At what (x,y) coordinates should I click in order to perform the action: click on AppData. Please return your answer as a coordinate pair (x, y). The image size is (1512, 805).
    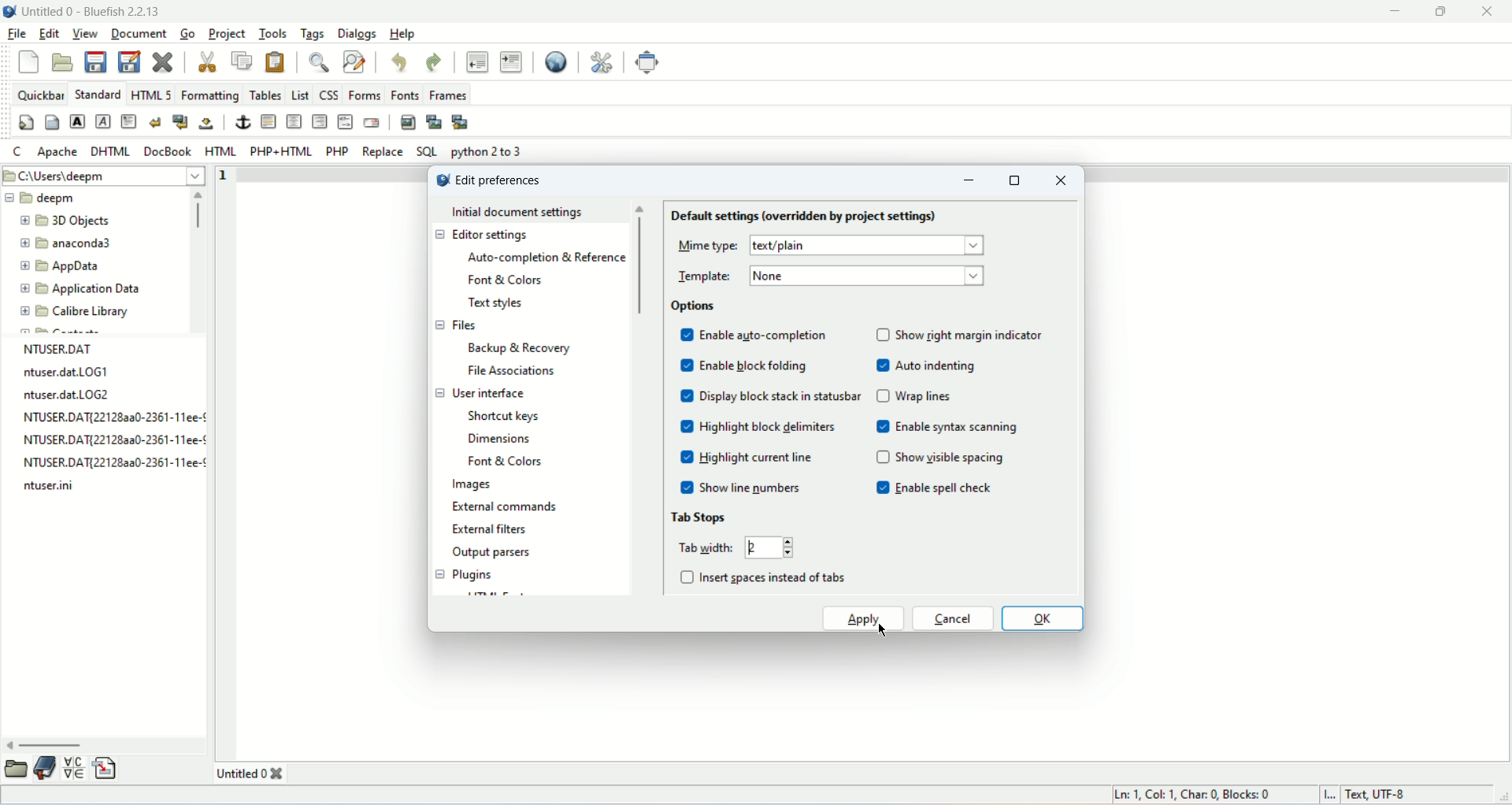
    Looking at the image, I should click on (83, 268).